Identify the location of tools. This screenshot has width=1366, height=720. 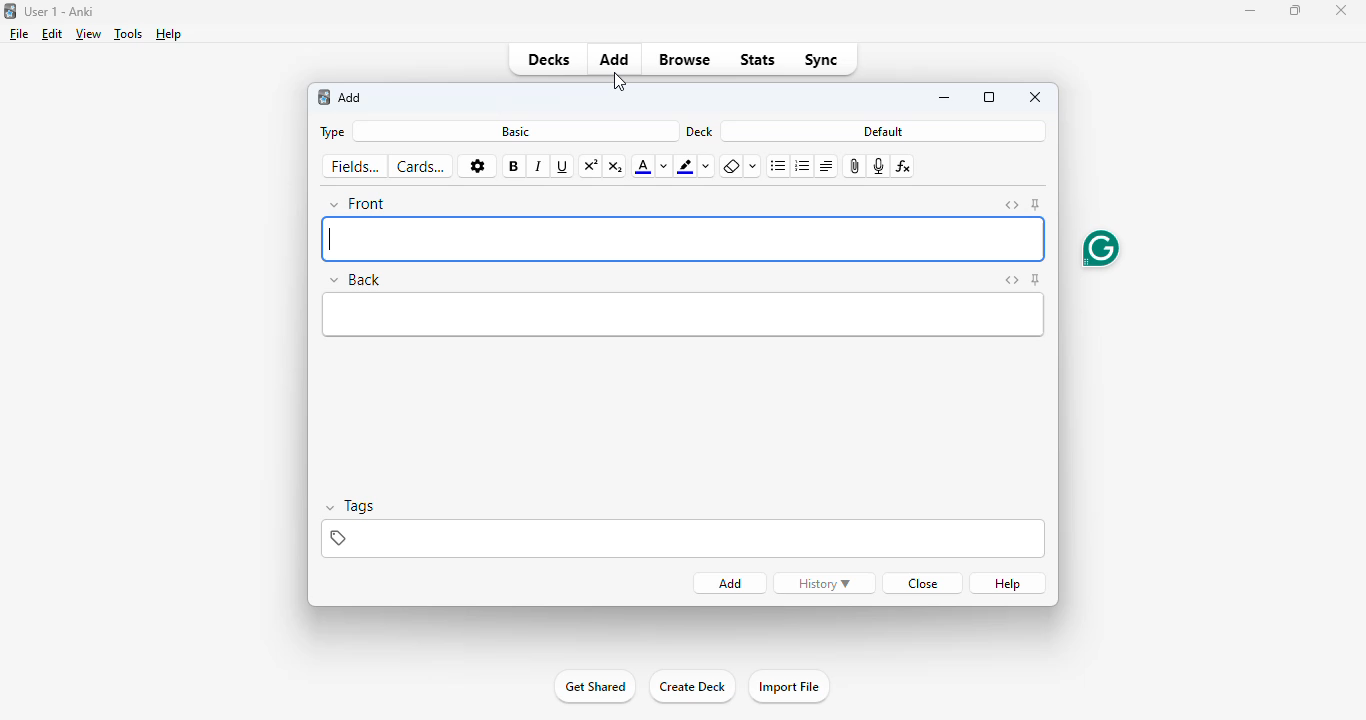
(129, 34).